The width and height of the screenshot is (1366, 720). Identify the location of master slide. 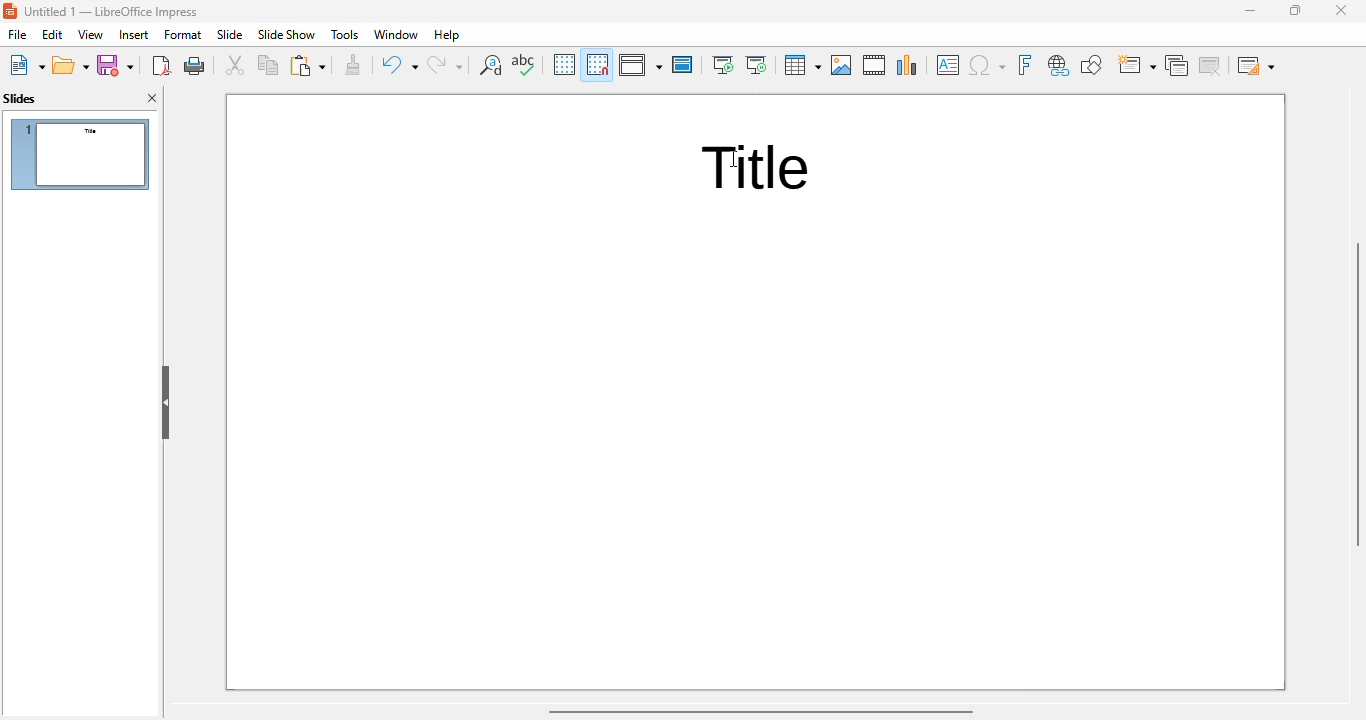
(684, 65).